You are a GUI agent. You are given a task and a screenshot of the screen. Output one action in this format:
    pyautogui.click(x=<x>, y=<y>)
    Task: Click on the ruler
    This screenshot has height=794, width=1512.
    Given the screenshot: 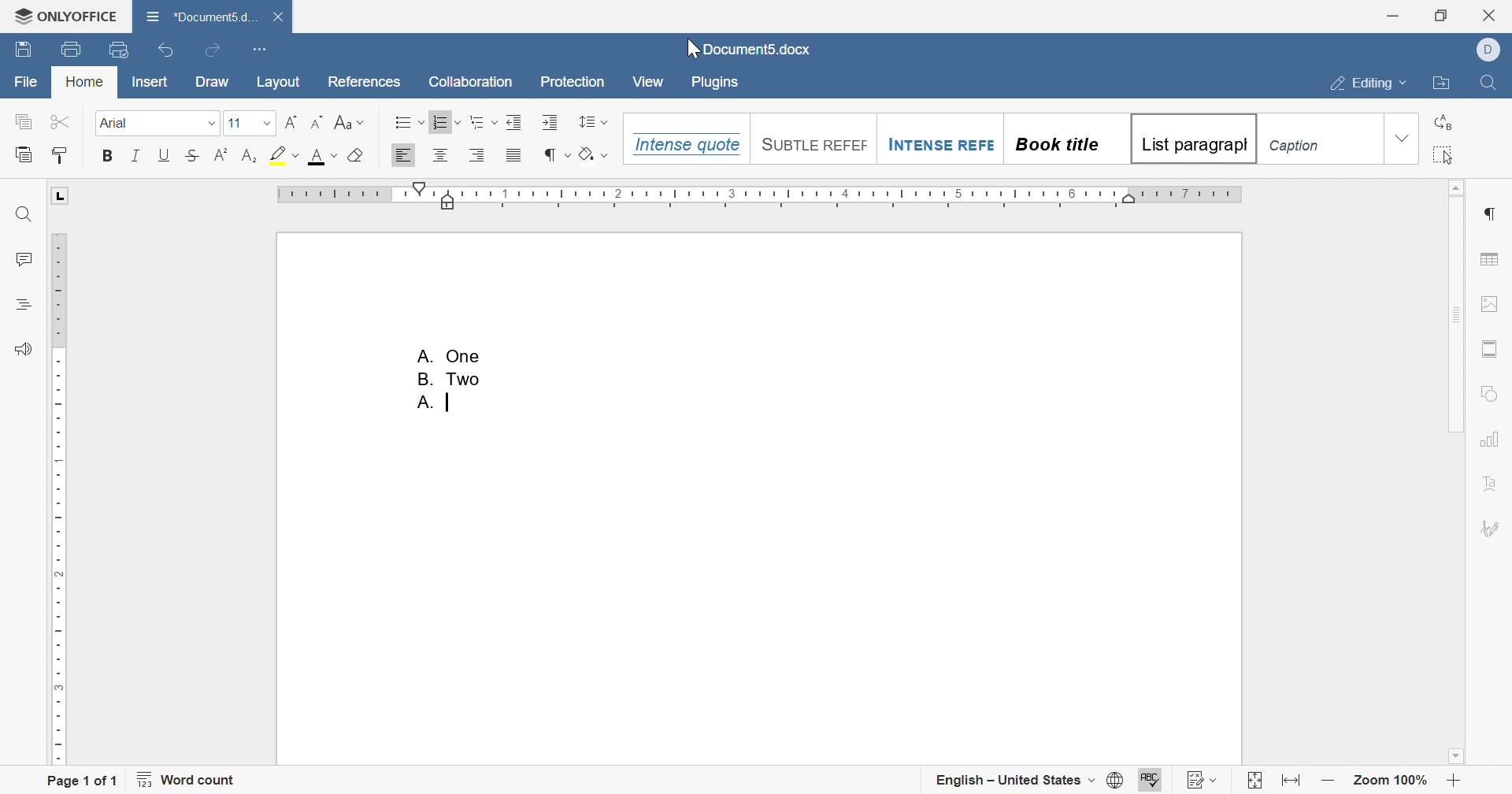 What is the action you would take?
    pyautogui.click(x=61, y=499)
    